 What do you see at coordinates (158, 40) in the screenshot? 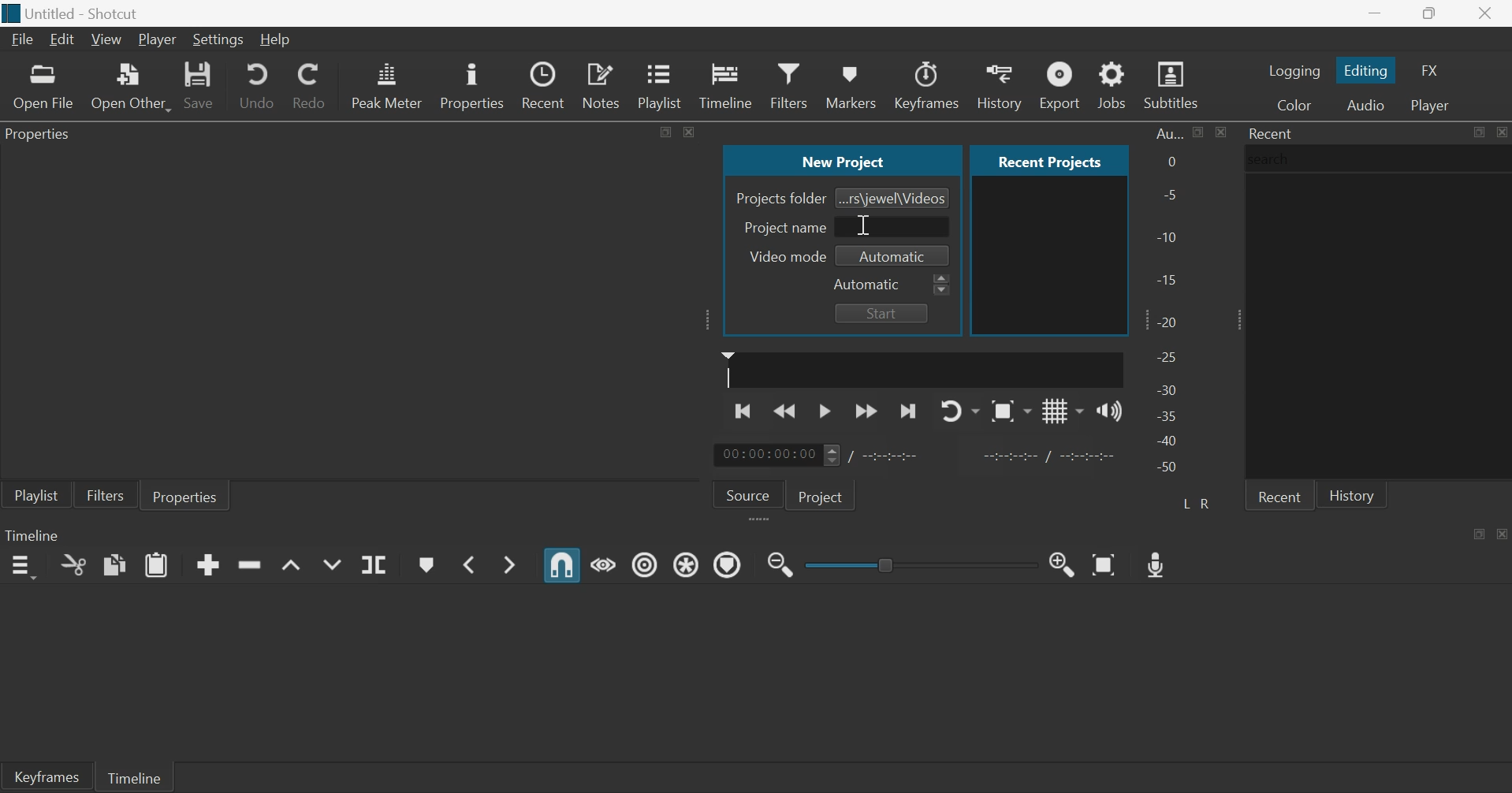
I see `Player` at bounding box center [158, 40].